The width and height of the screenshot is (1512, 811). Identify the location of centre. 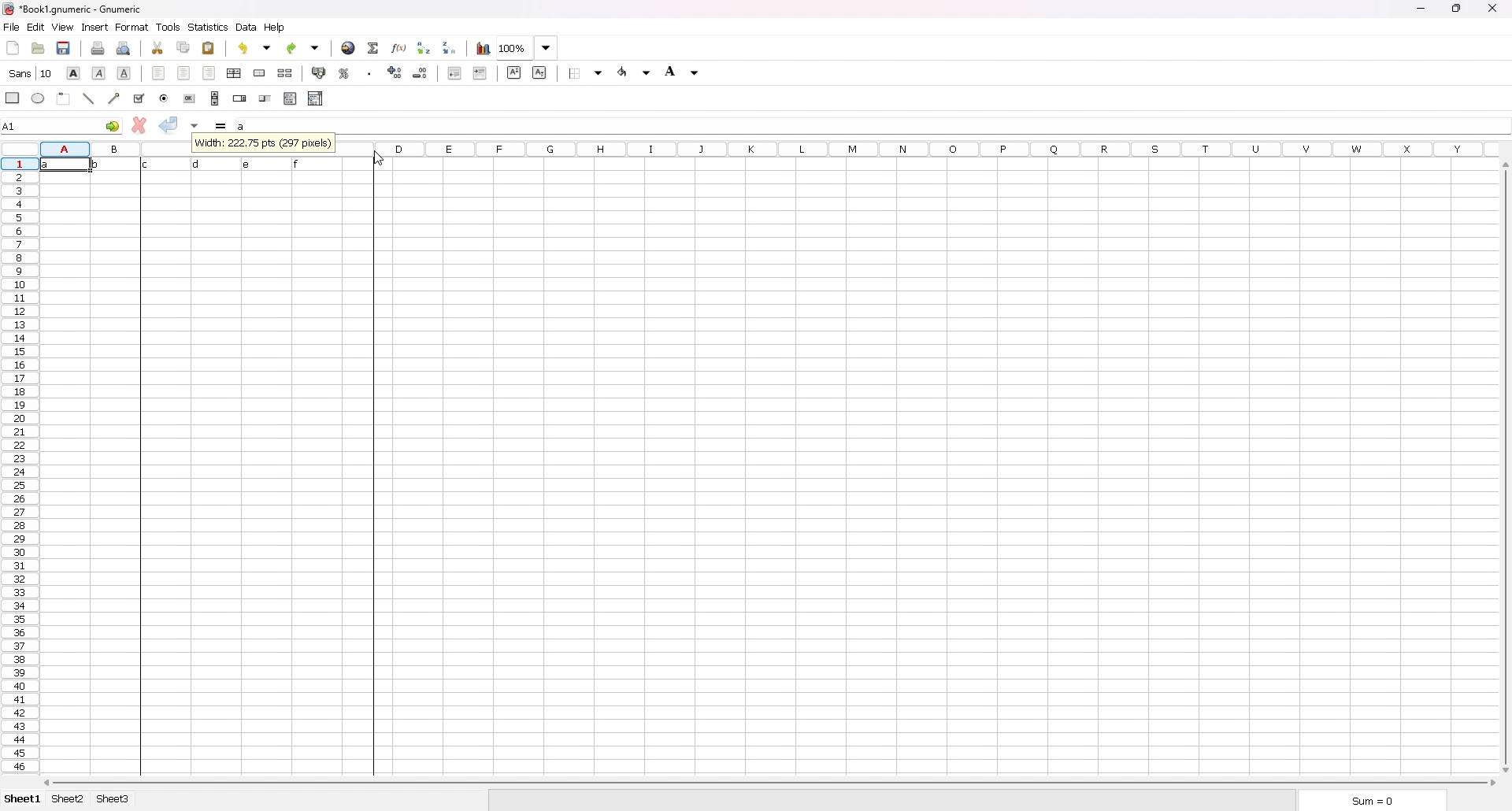
(183, 72).